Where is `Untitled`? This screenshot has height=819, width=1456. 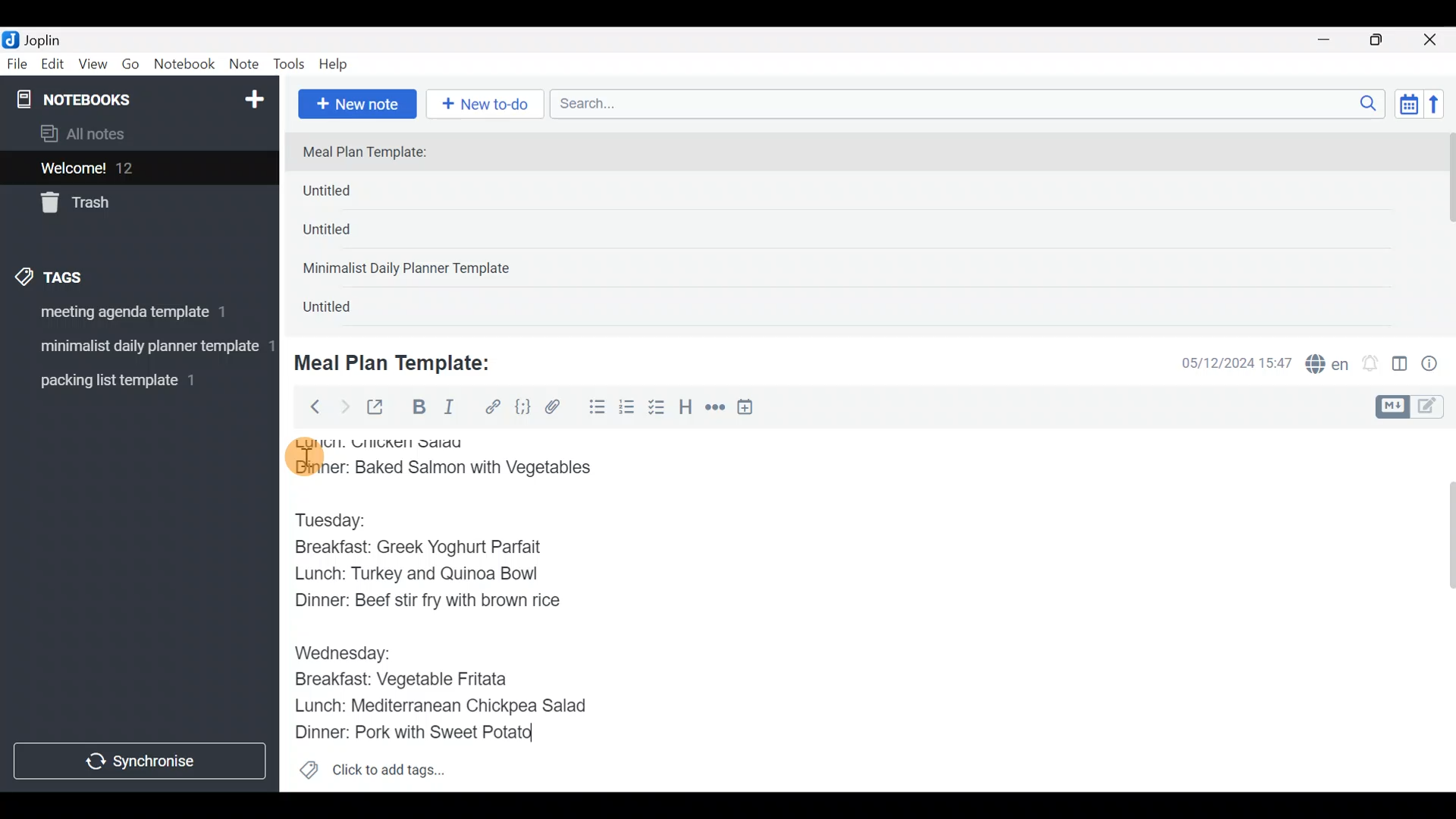 Untitled is located at coordinates (344, 310).